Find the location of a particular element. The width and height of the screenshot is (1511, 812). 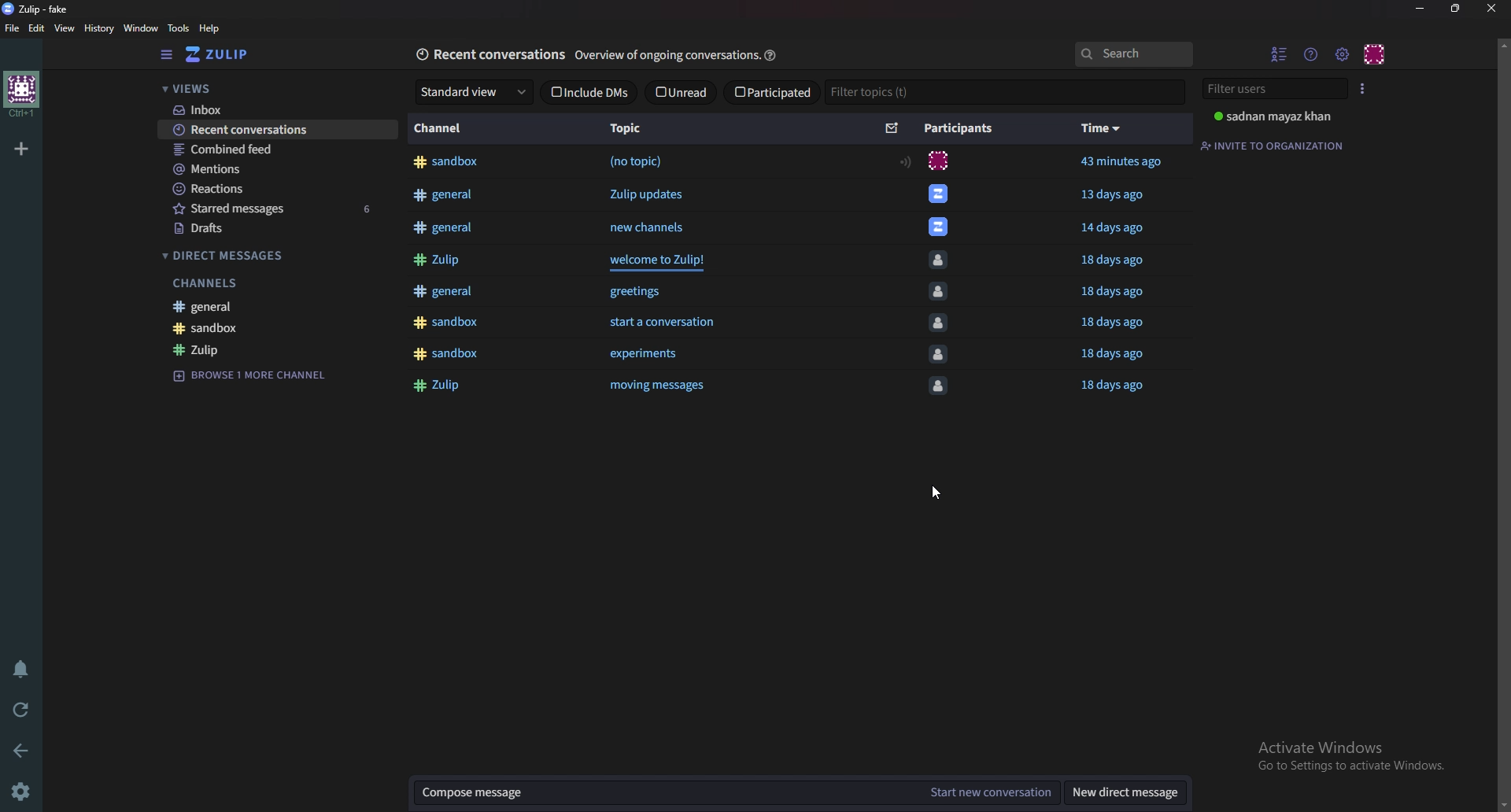

new channels is located at coordinates (648, 227).